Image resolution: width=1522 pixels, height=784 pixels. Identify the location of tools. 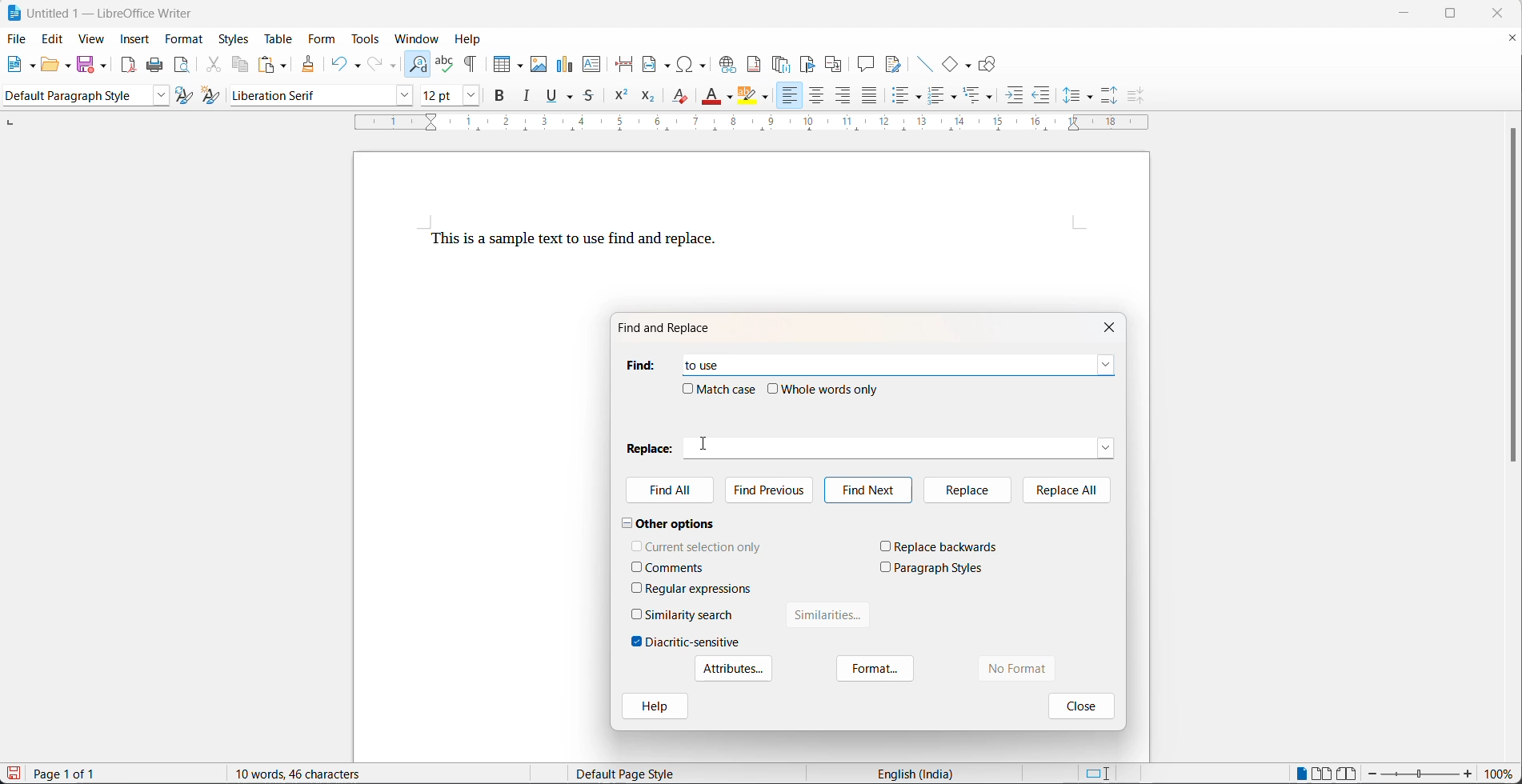
(368, 39).